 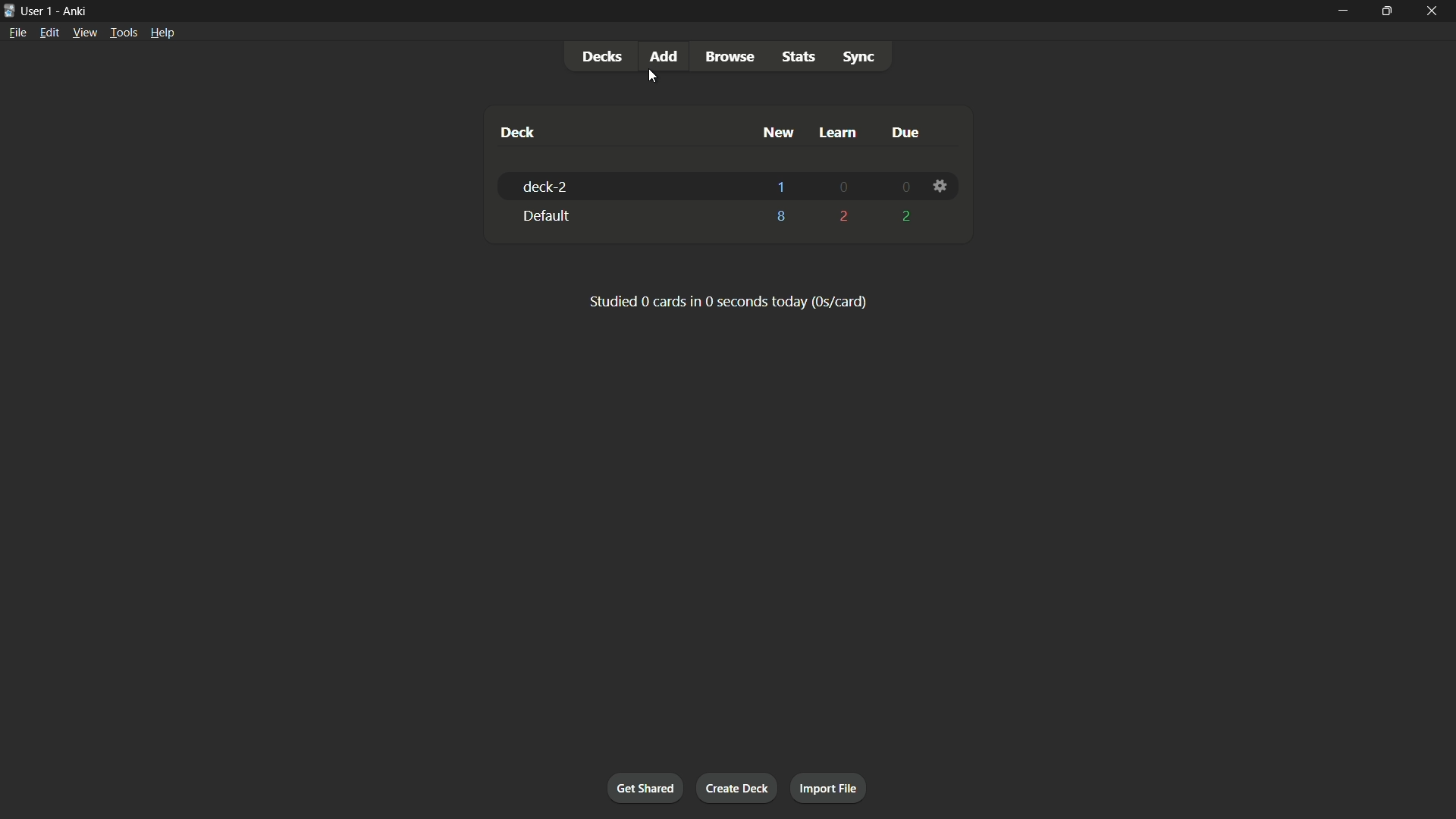 I want to click on deck-2, so click(x=548, y=187).